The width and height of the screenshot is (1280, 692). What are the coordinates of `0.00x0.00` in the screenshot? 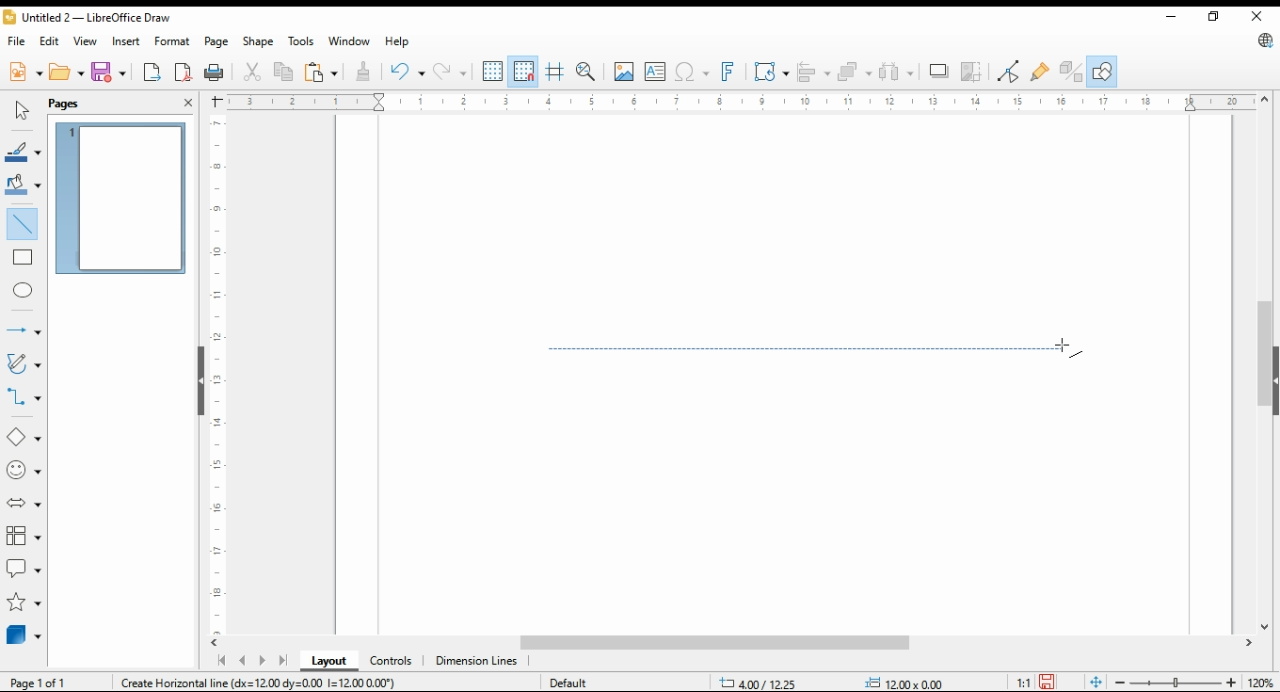 It's located at (905, 682).